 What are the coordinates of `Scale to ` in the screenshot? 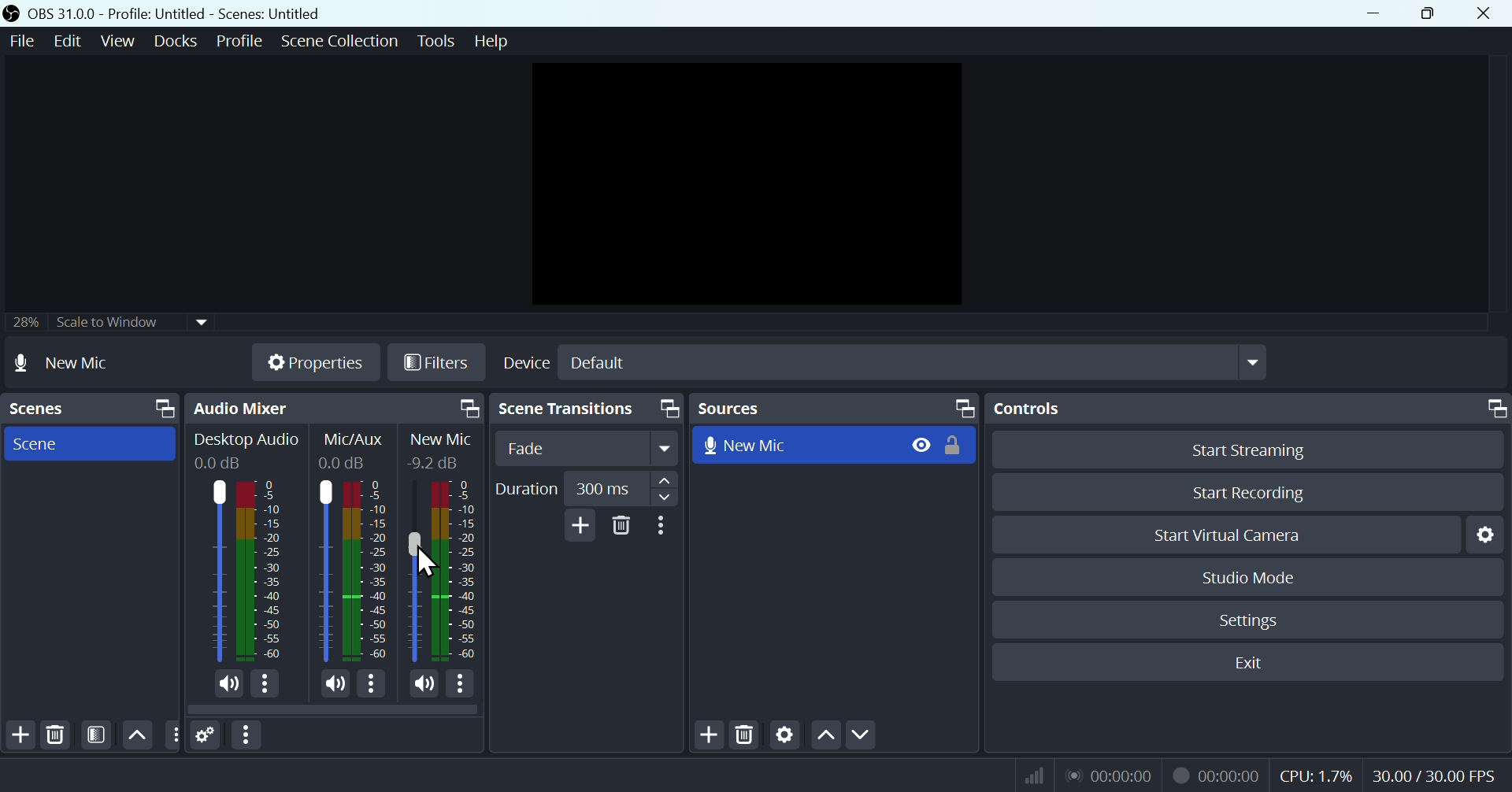 It's located at (103, 324).